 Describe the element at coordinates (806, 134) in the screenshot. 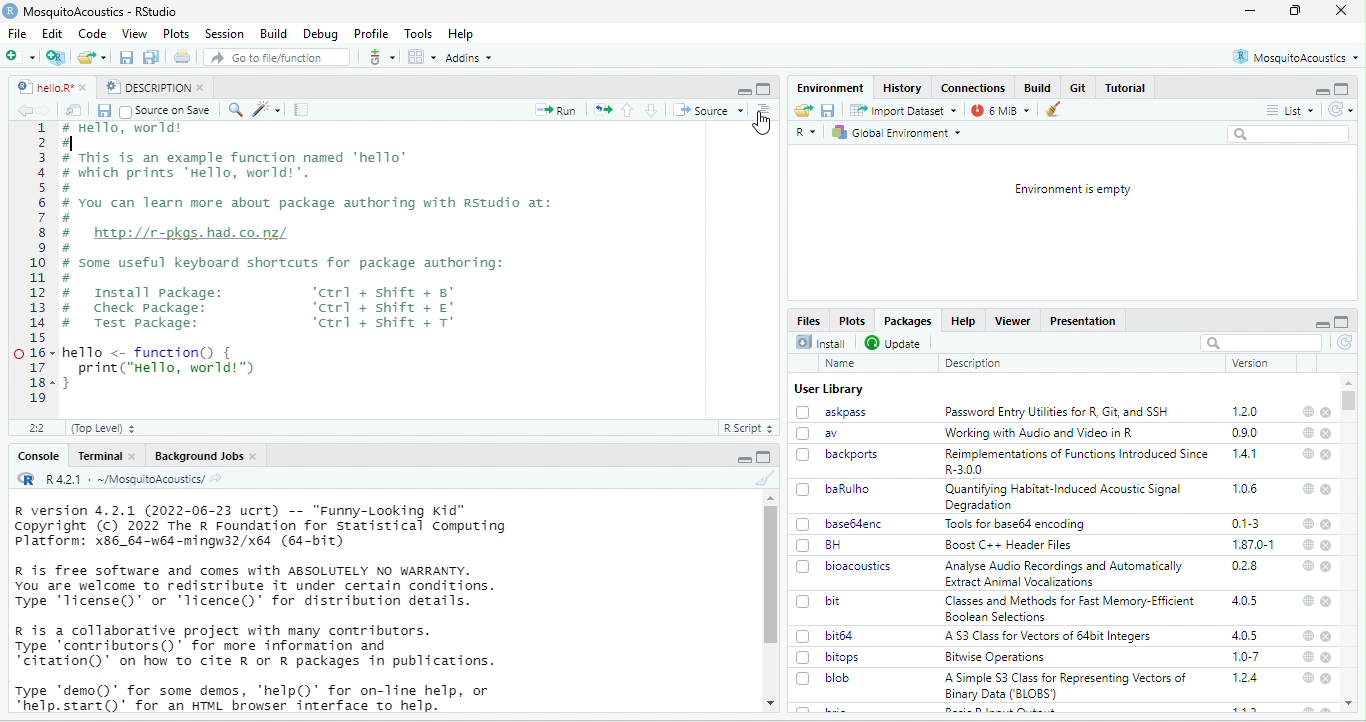

I see `R` at that location.